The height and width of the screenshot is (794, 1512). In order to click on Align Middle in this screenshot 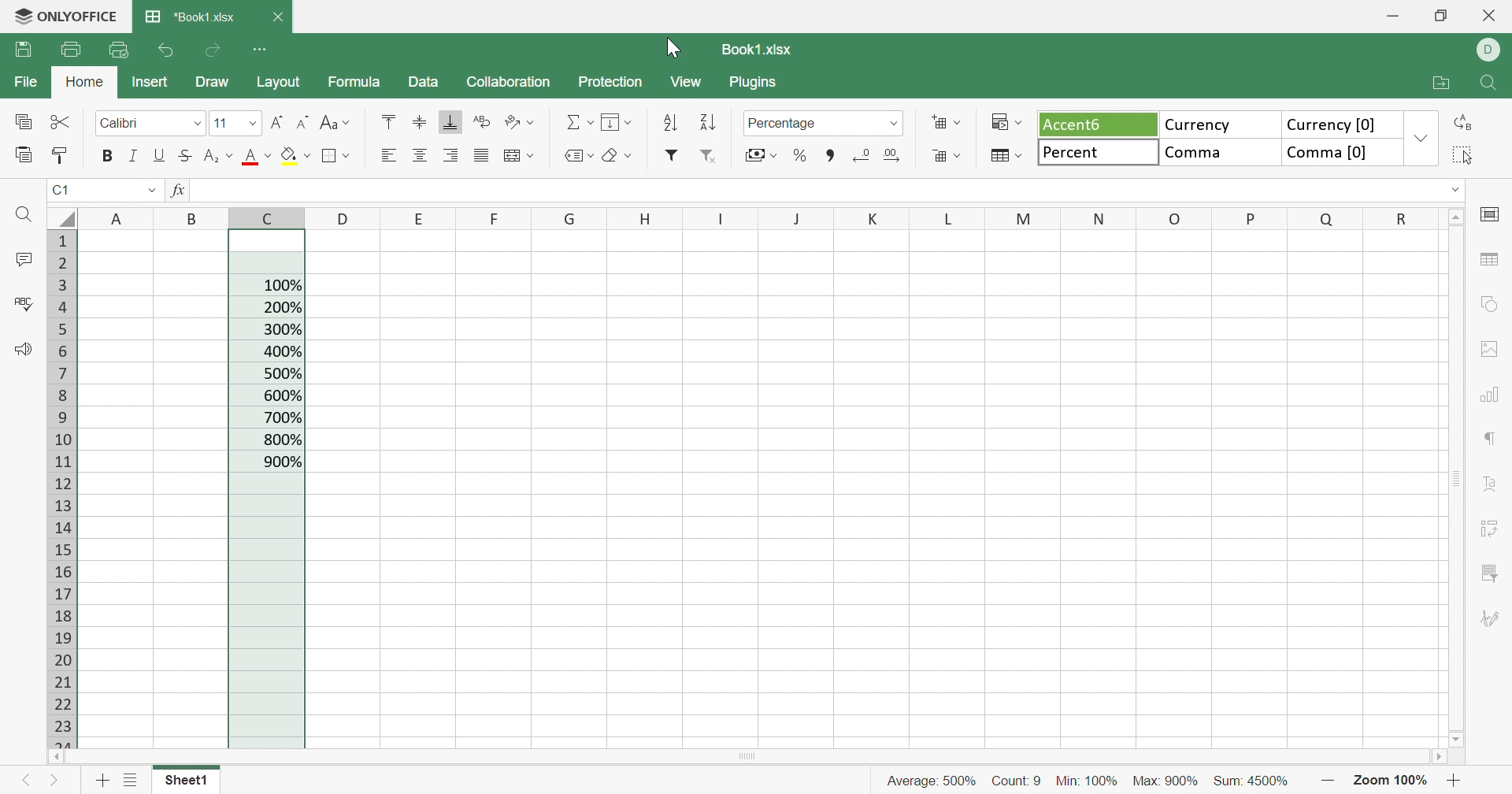, I will do `click(419, 121)`.